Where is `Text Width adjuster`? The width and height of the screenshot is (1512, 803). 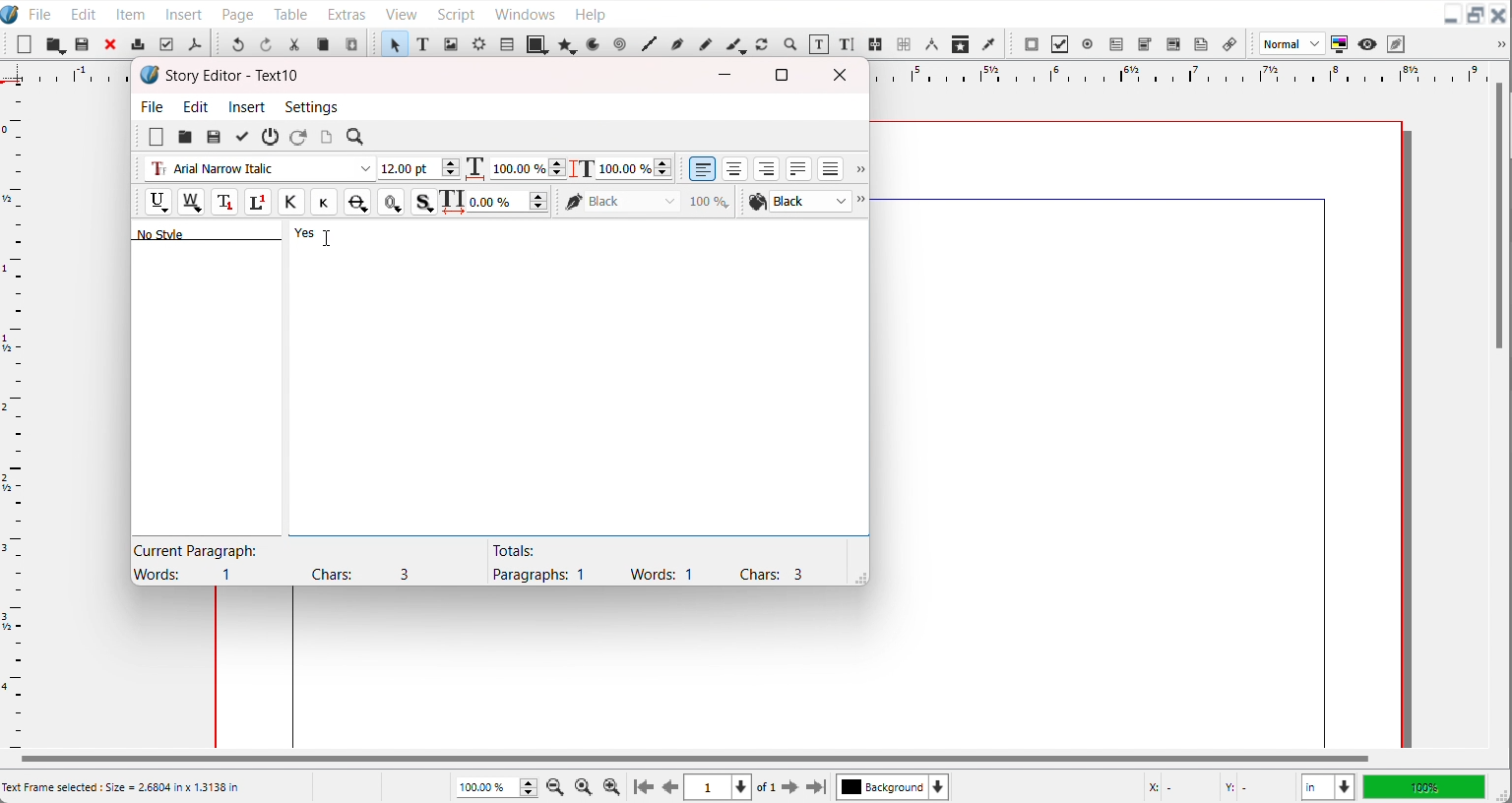 Text Width adjuster is located at coordinates (509, 202).